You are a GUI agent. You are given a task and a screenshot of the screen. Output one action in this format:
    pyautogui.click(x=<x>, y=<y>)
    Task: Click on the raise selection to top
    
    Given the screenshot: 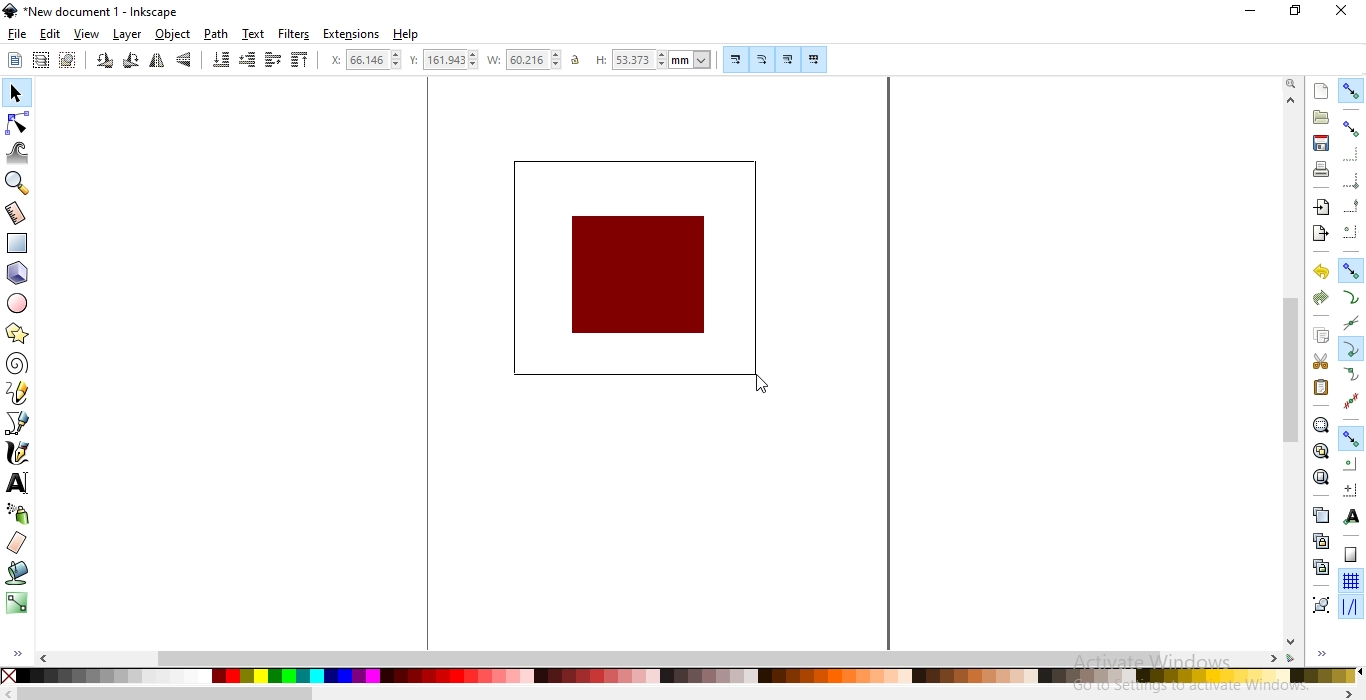 What is the action you would take?
    pyautogui.click(x=297, y=61)
    